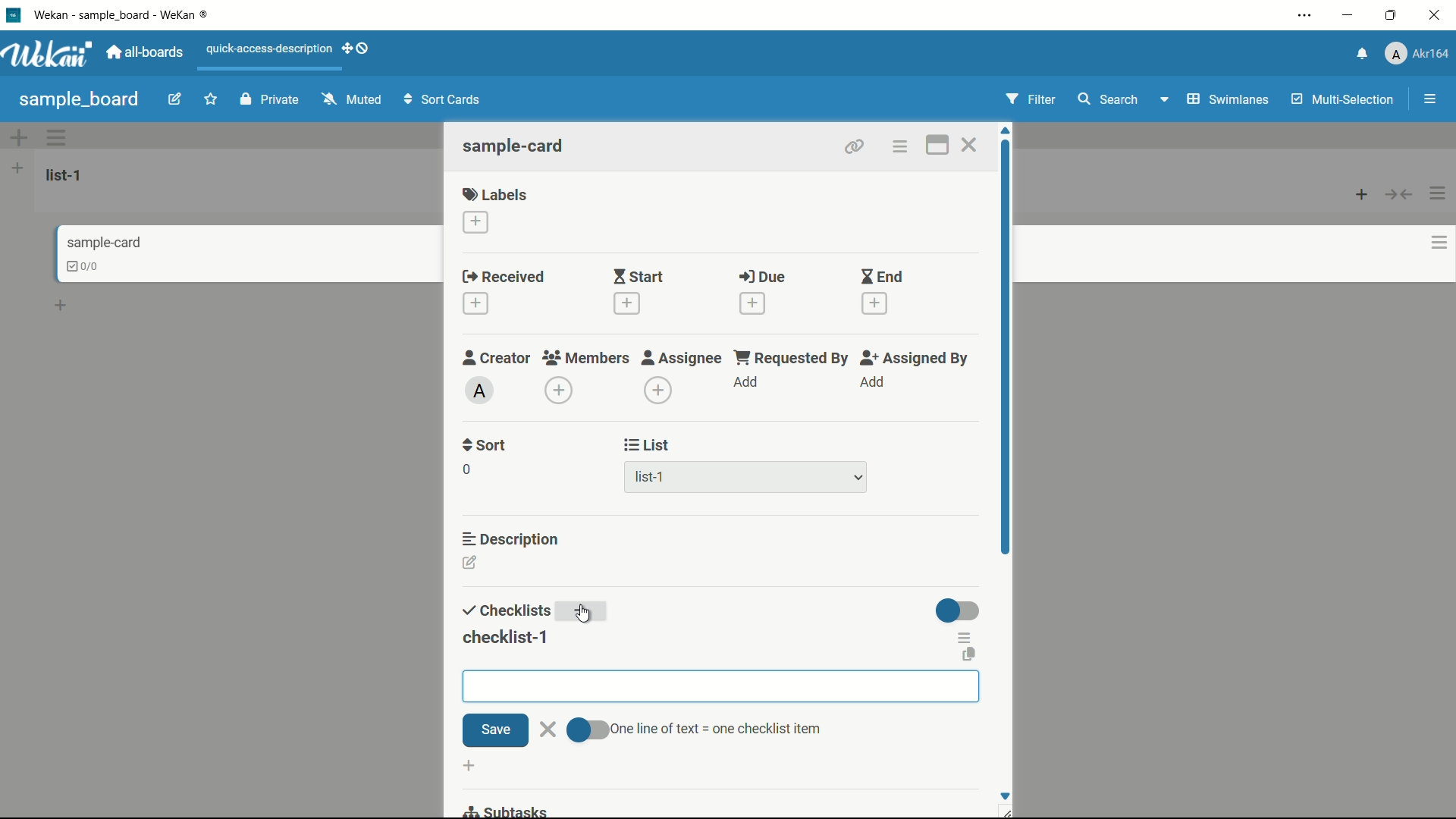  Describe the element at coordinates (959, 610) in the screenshot. I see `toggle button` at that location.